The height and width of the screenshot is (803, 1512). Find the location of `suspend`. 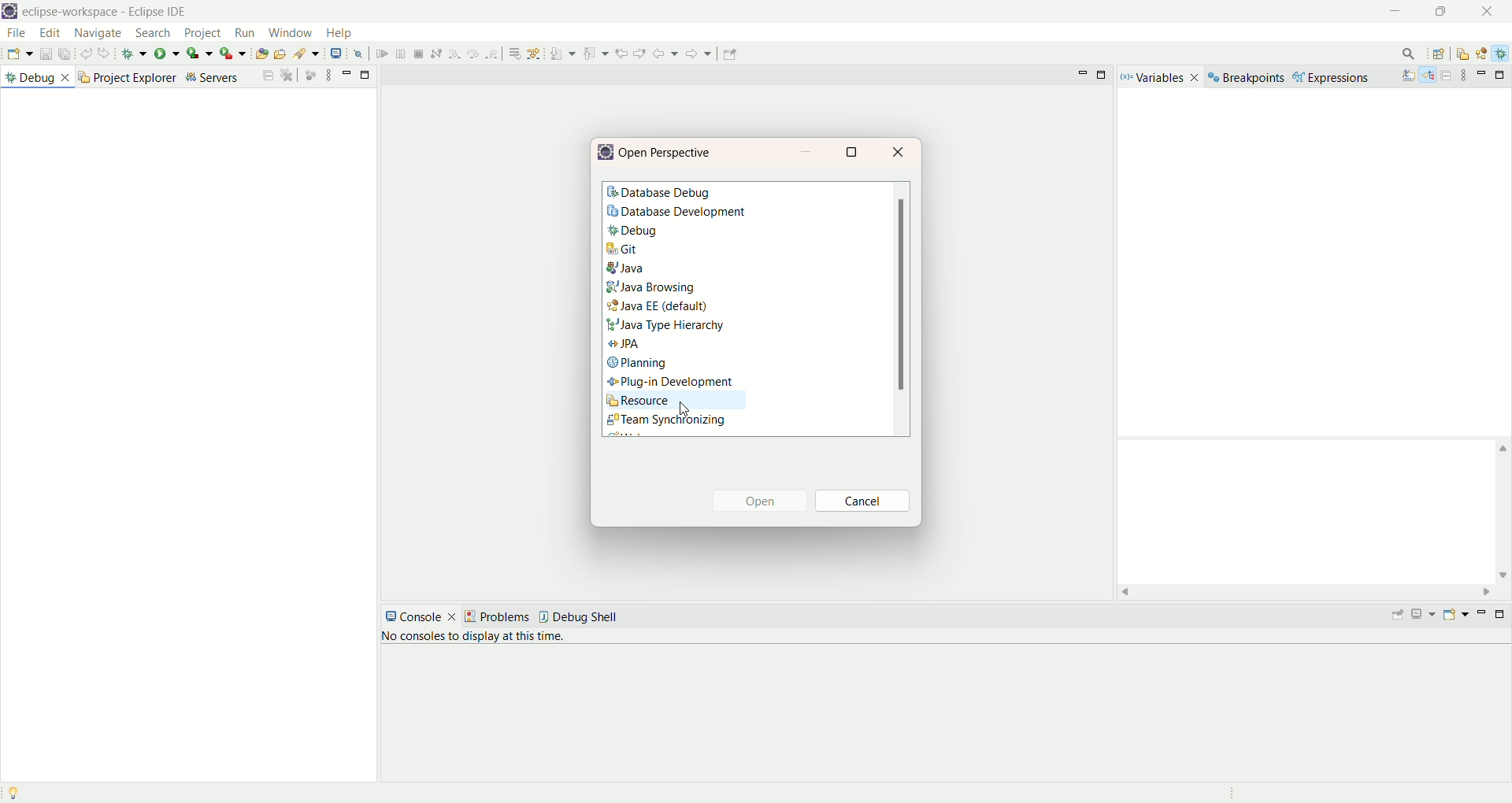

suspend is located at coordinates (513, 54).